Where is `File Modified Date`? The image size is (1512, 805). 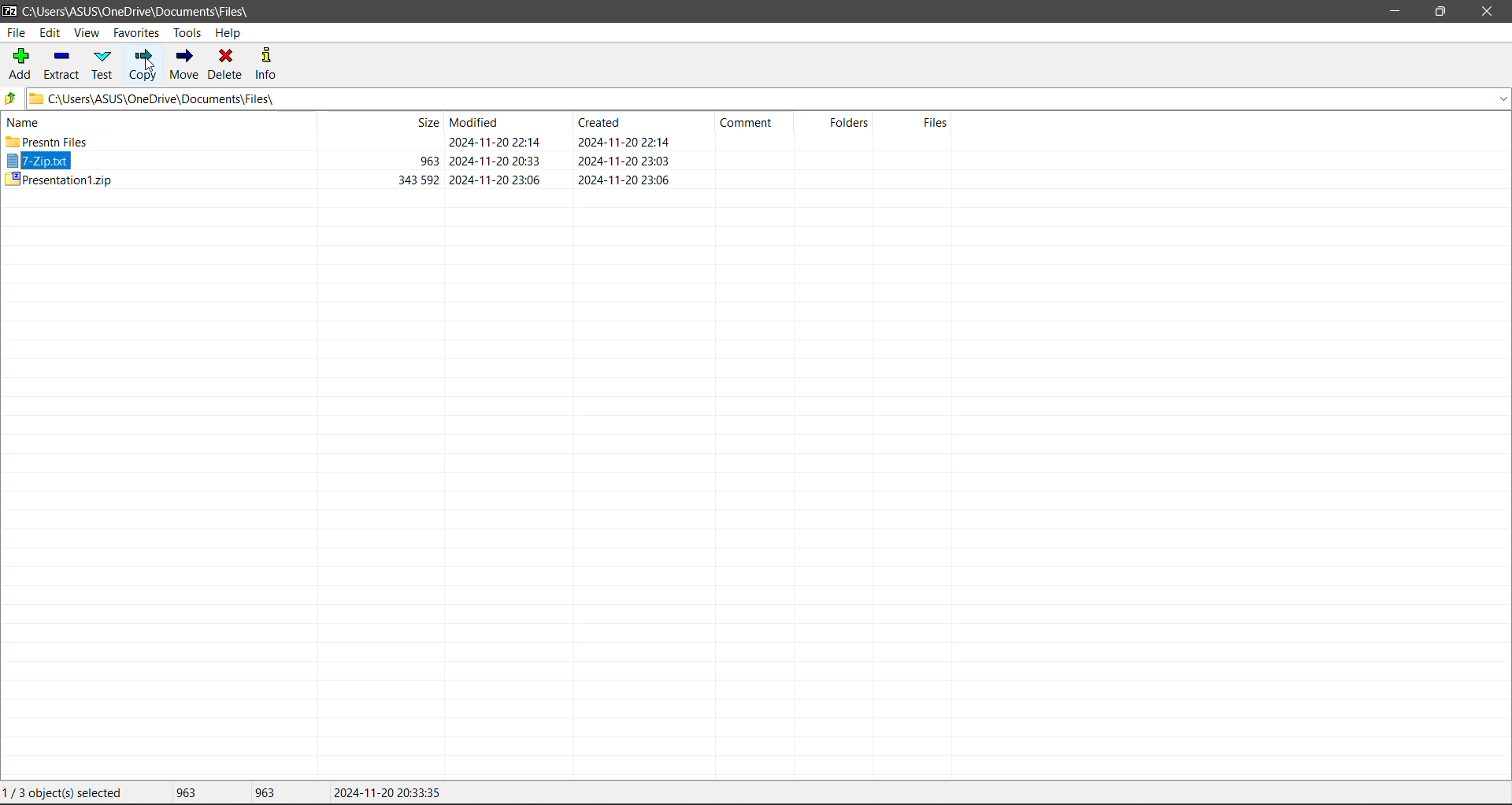 File Modified Date is located at coordinates (498, 151).